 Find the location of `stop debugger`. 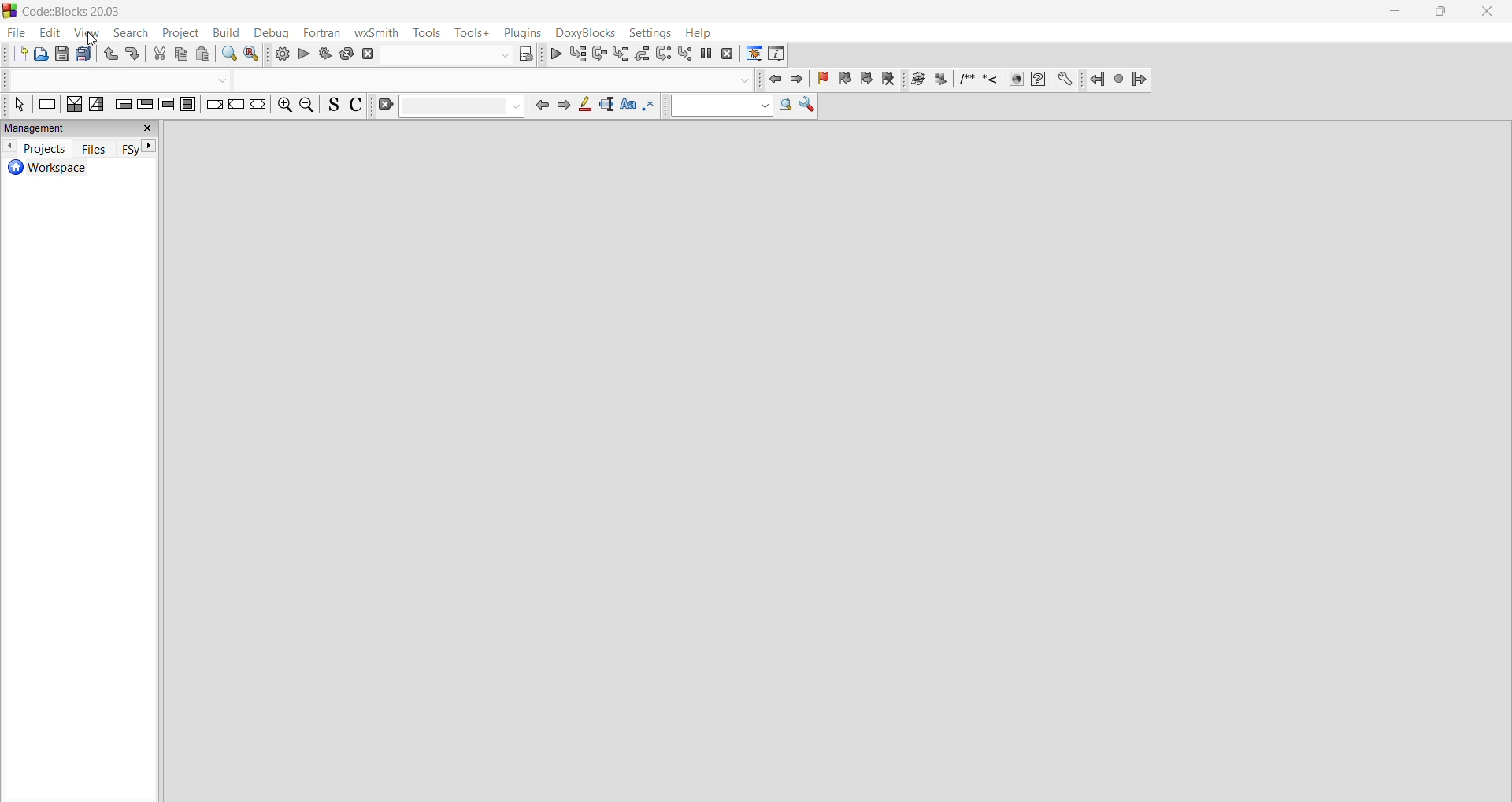

stop debugger is located at coordinates (727, 54).